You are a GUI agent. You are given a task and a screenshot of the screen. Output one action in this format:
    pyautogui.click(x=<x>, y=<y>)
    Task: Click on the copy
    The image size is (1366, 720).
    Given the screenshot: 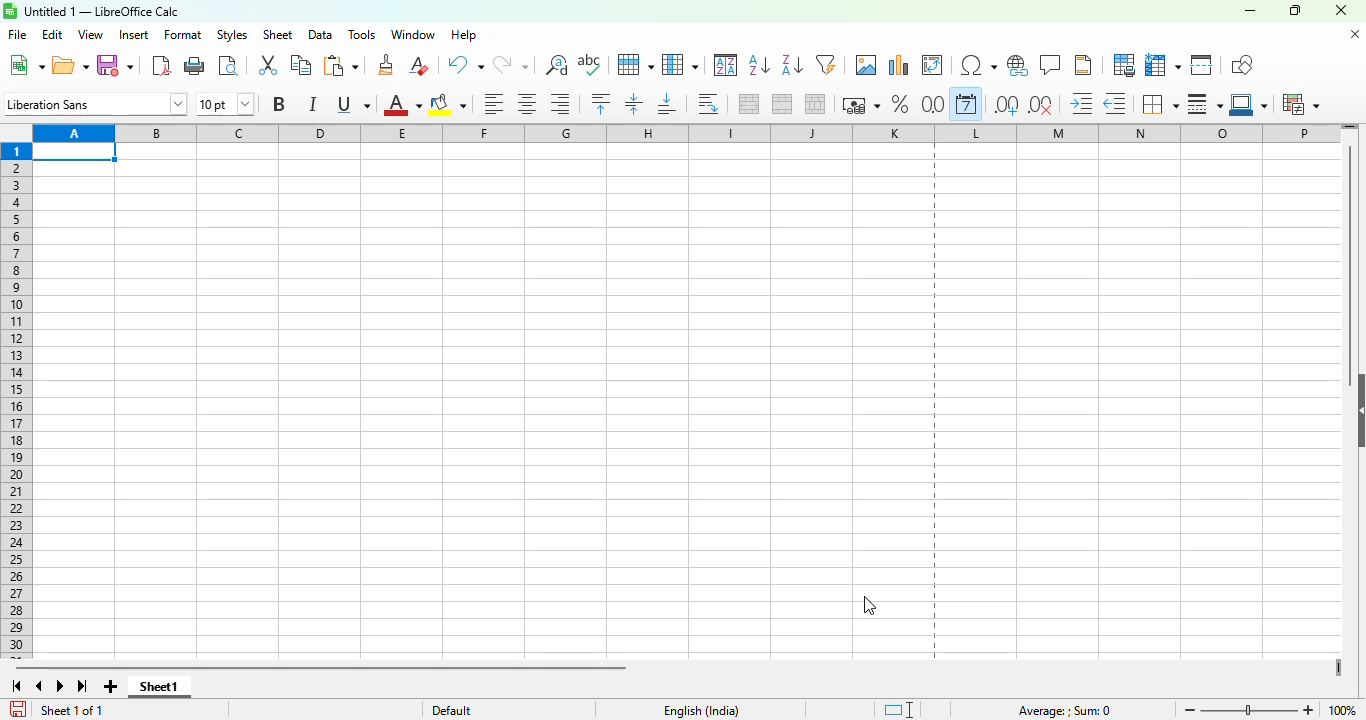 What is the action you would take?
    pyautogui.click(x=301, y=64)
    